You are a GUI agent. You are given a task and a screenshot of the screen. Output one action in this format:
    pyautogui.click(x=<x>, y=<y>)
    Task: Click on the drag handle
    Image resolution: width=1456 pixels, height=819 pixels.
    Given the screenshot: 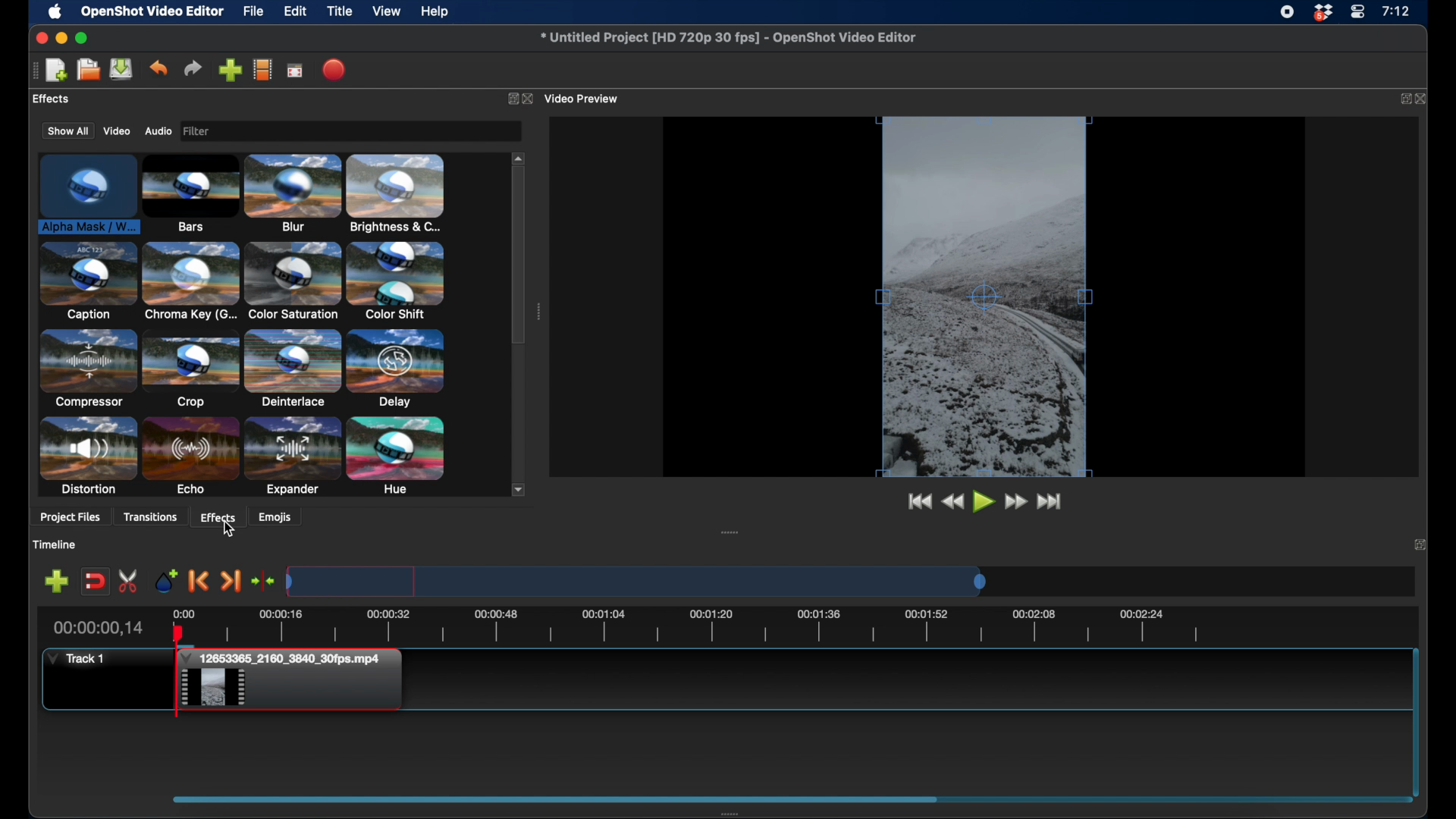 What is the action you would take?
    pyautogui.click(x=555, y=798)
    